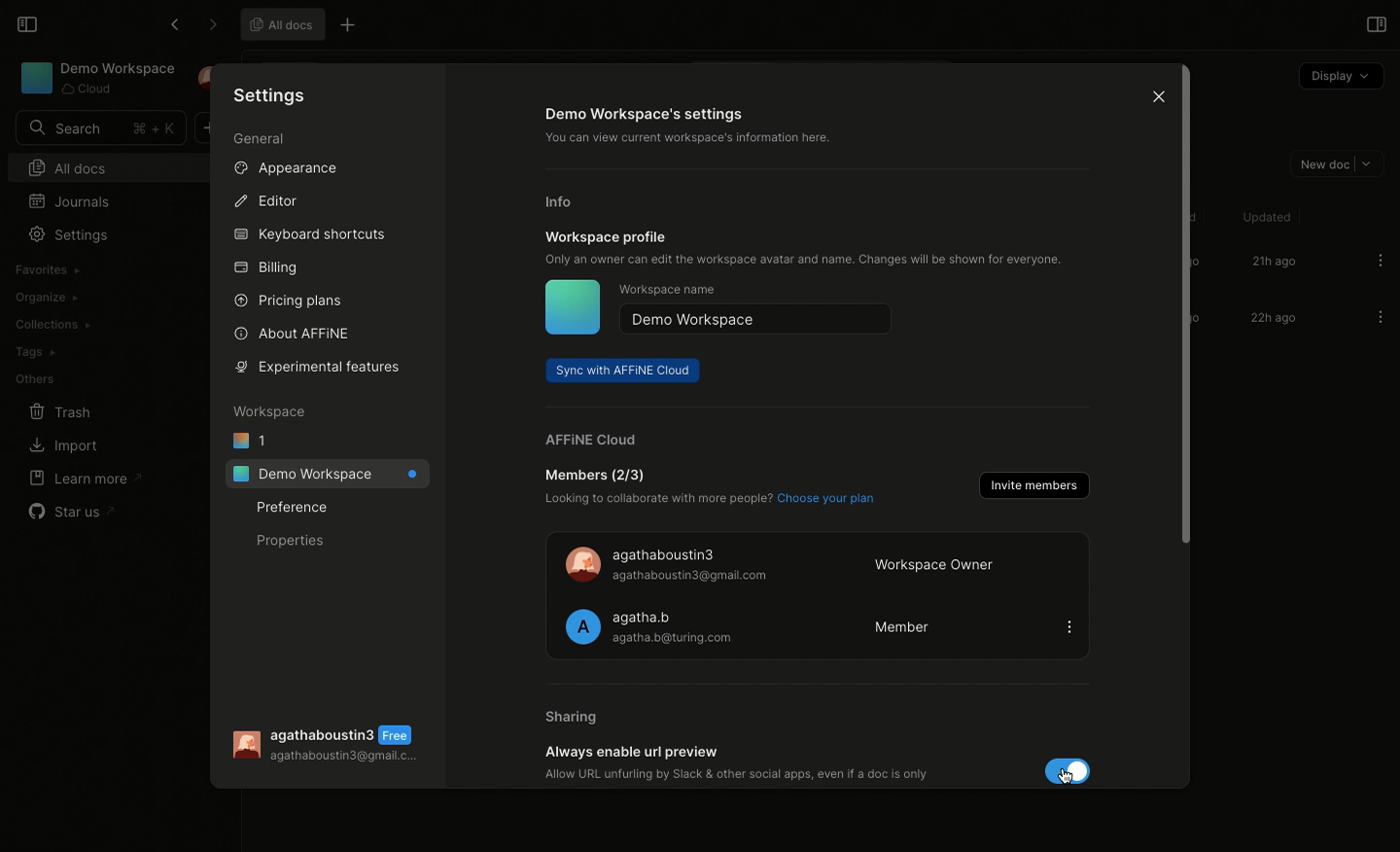 This screenshot has height=852, width=1400. What do you see at coordinates (264, 199) in the screenshot?
I see `Editor` at bounding box center [264, 199].